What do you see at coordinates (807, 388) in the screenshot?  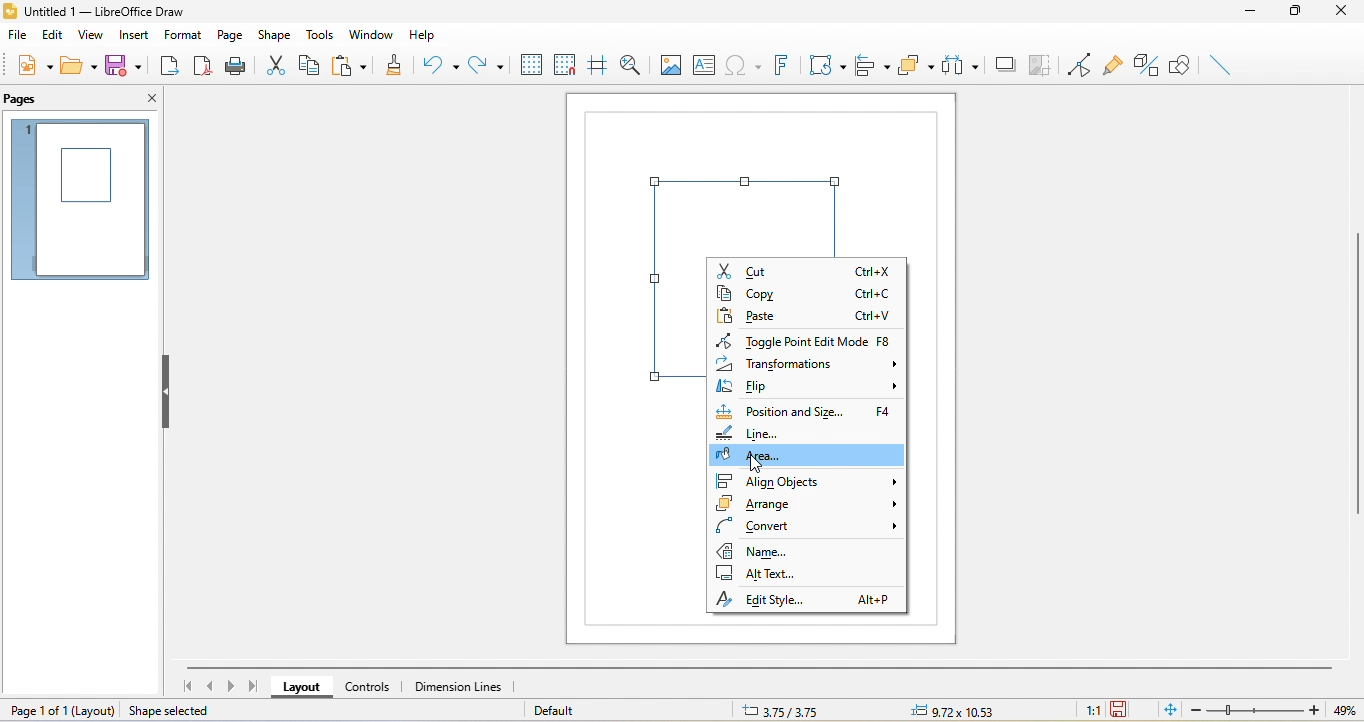 I see `flip` at bounding box center [807, 388].